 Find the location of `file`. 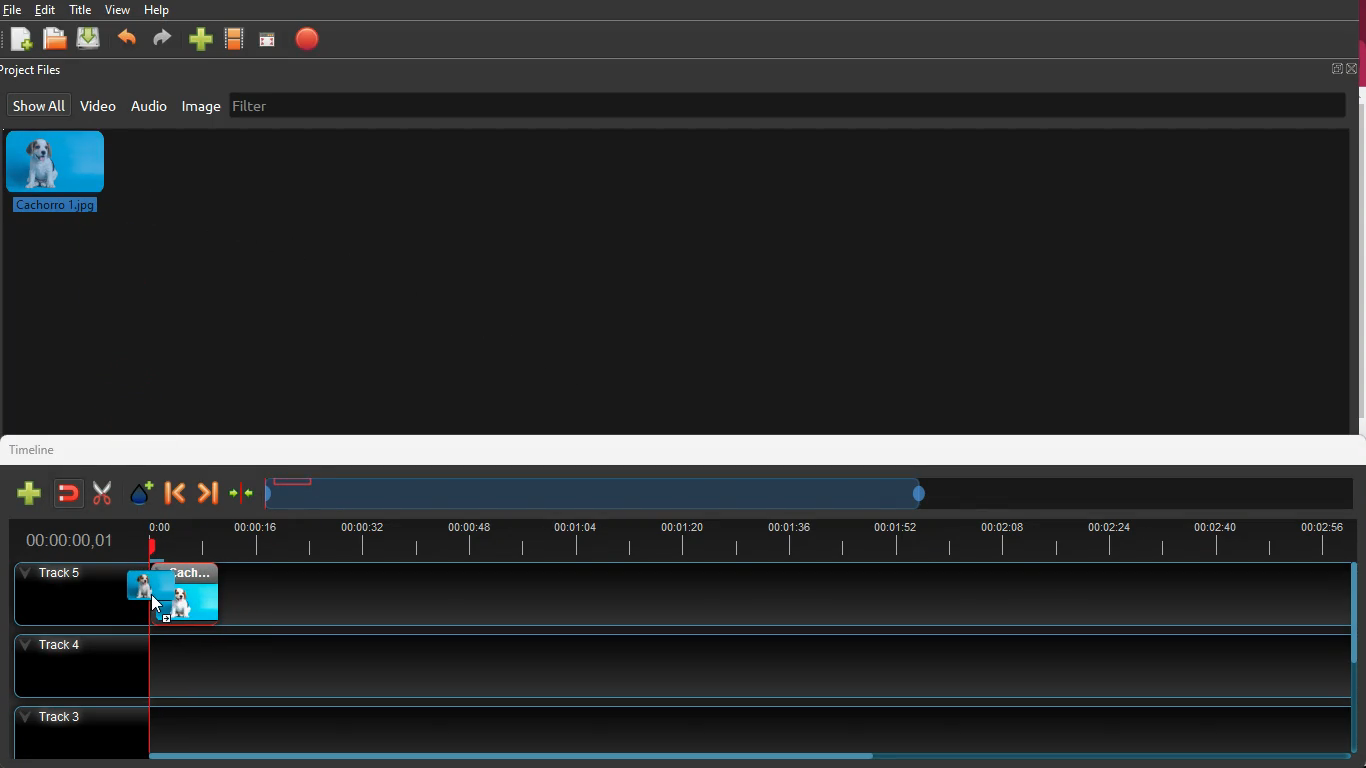

file is located at coordinates (13, 10).